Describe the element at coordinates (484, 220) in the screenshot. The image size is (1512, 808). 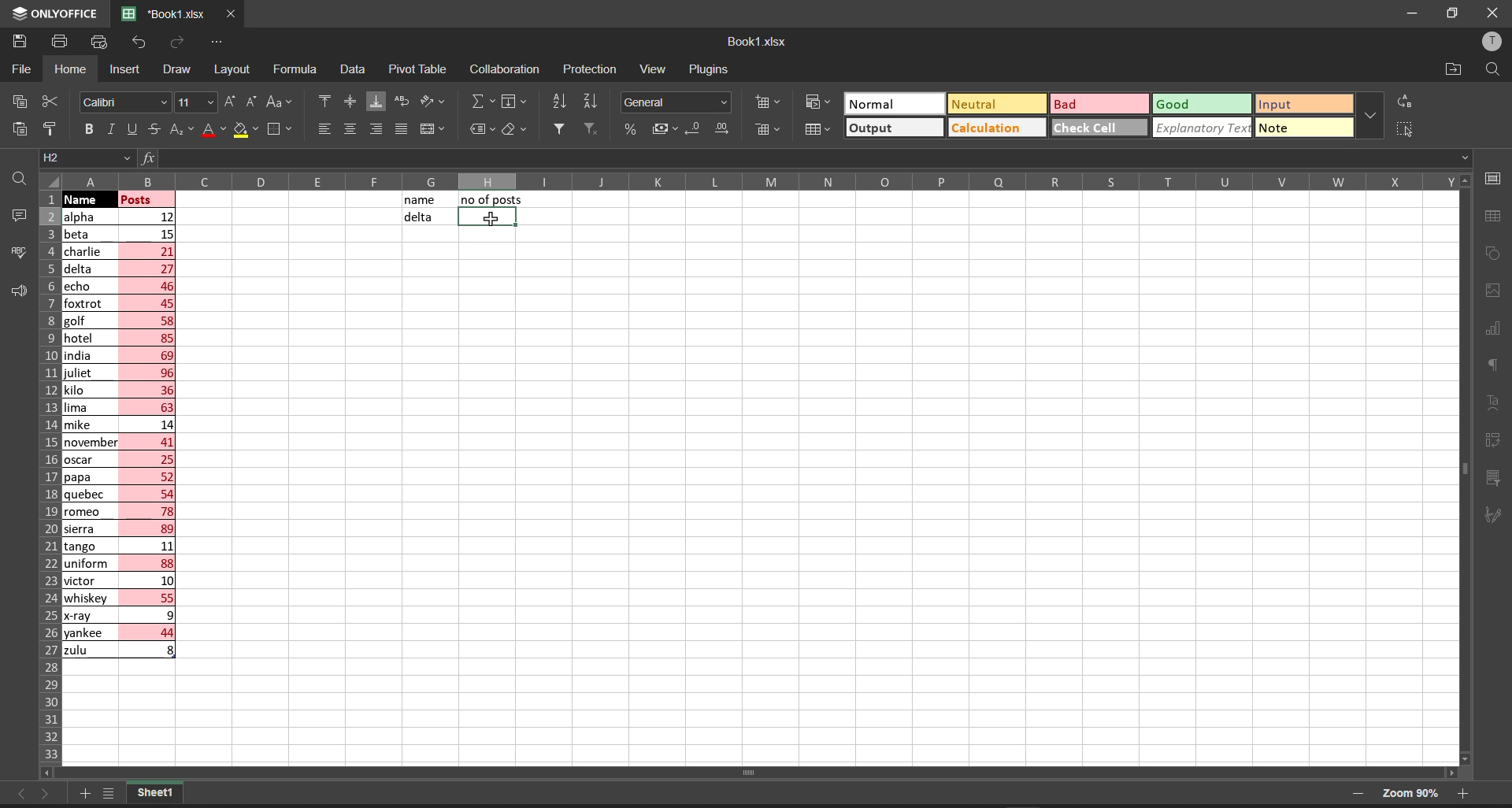
I see `cell select` at that location.